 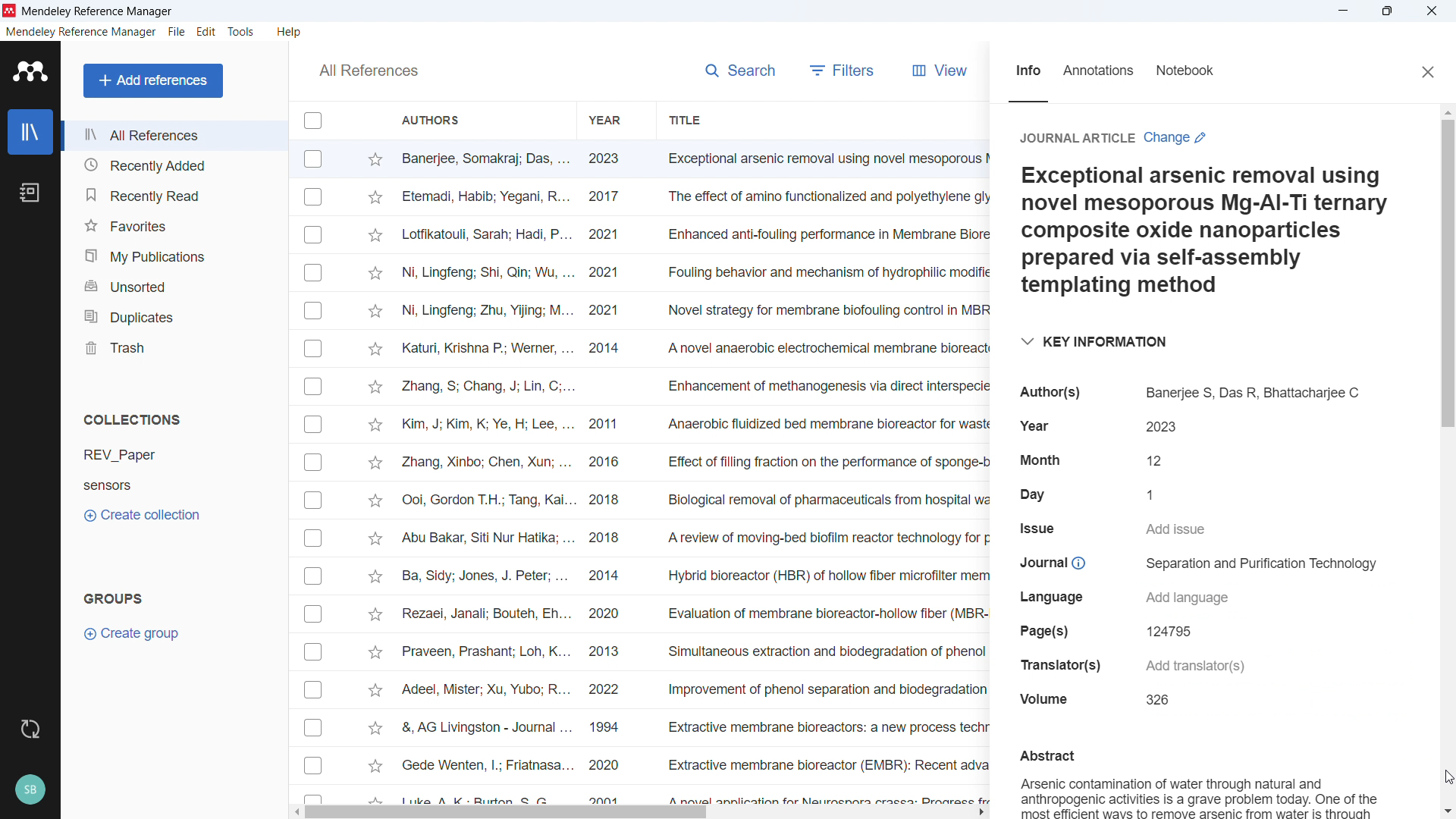 I want to click on click to starmark individual entries, so click(x=374, y=465).